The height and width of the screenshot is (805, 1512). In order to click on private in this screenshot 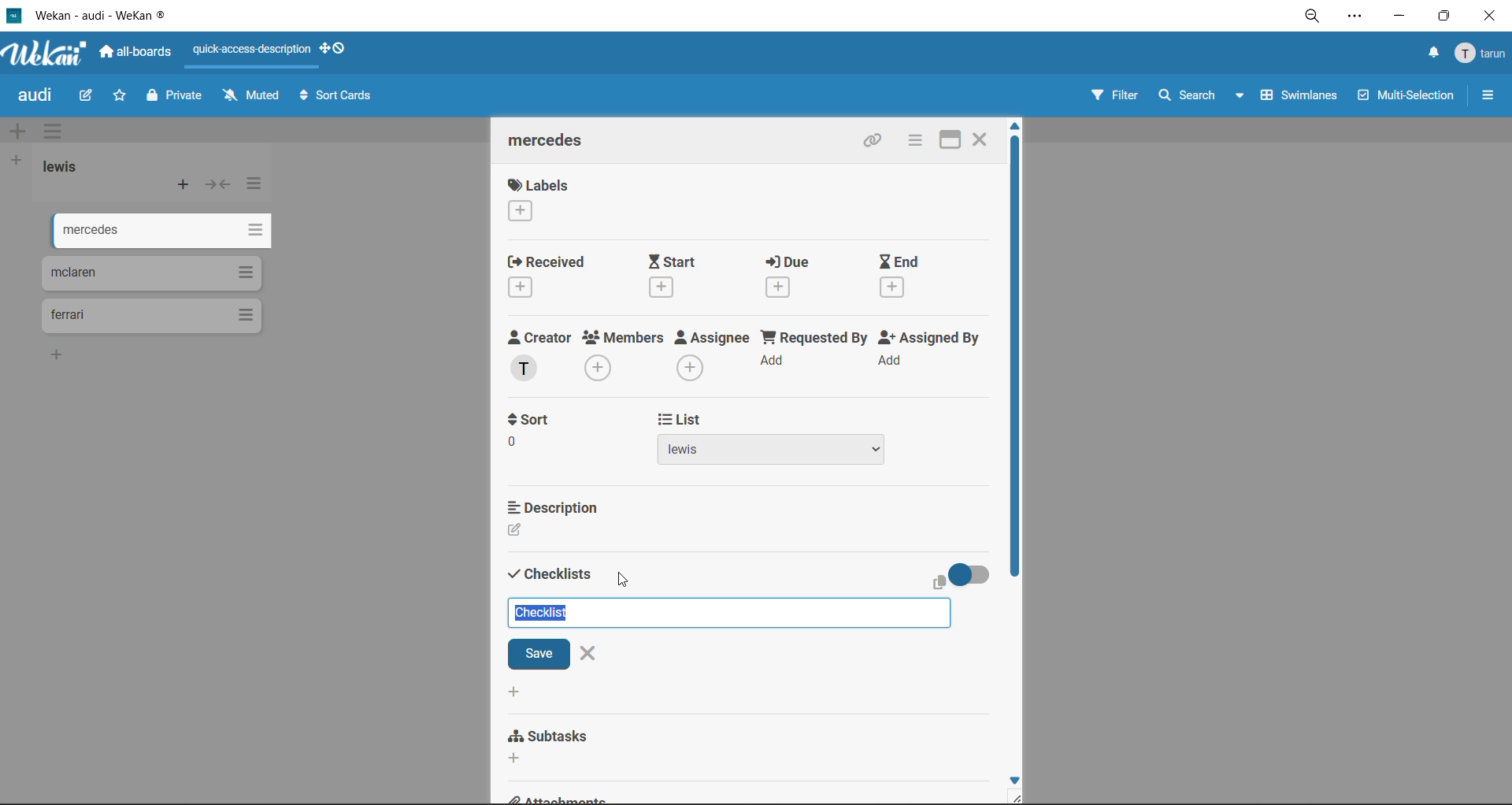, I will do `click(176, 98)`.